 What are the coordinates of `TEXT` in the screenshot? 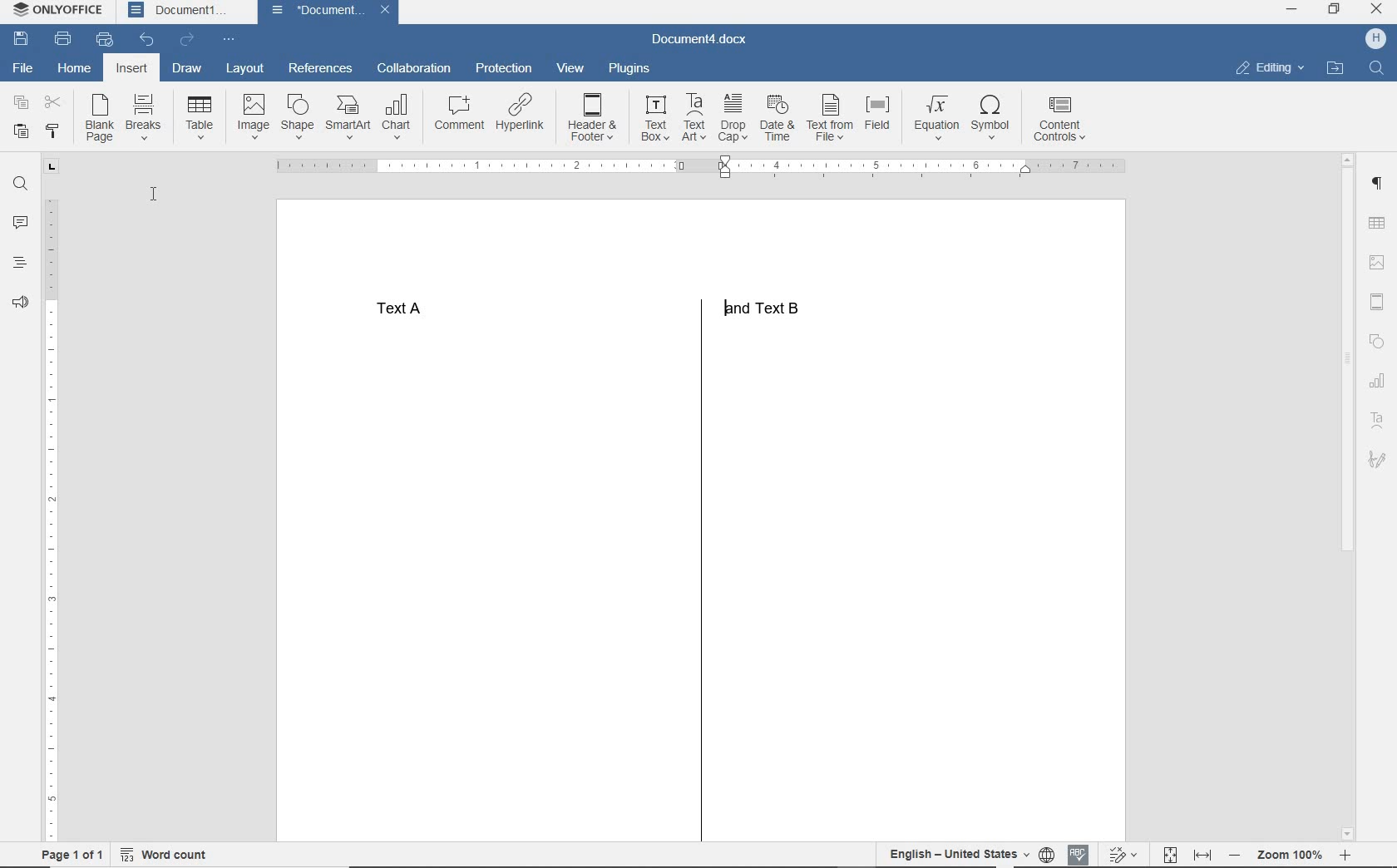 It's located at (590, 308).